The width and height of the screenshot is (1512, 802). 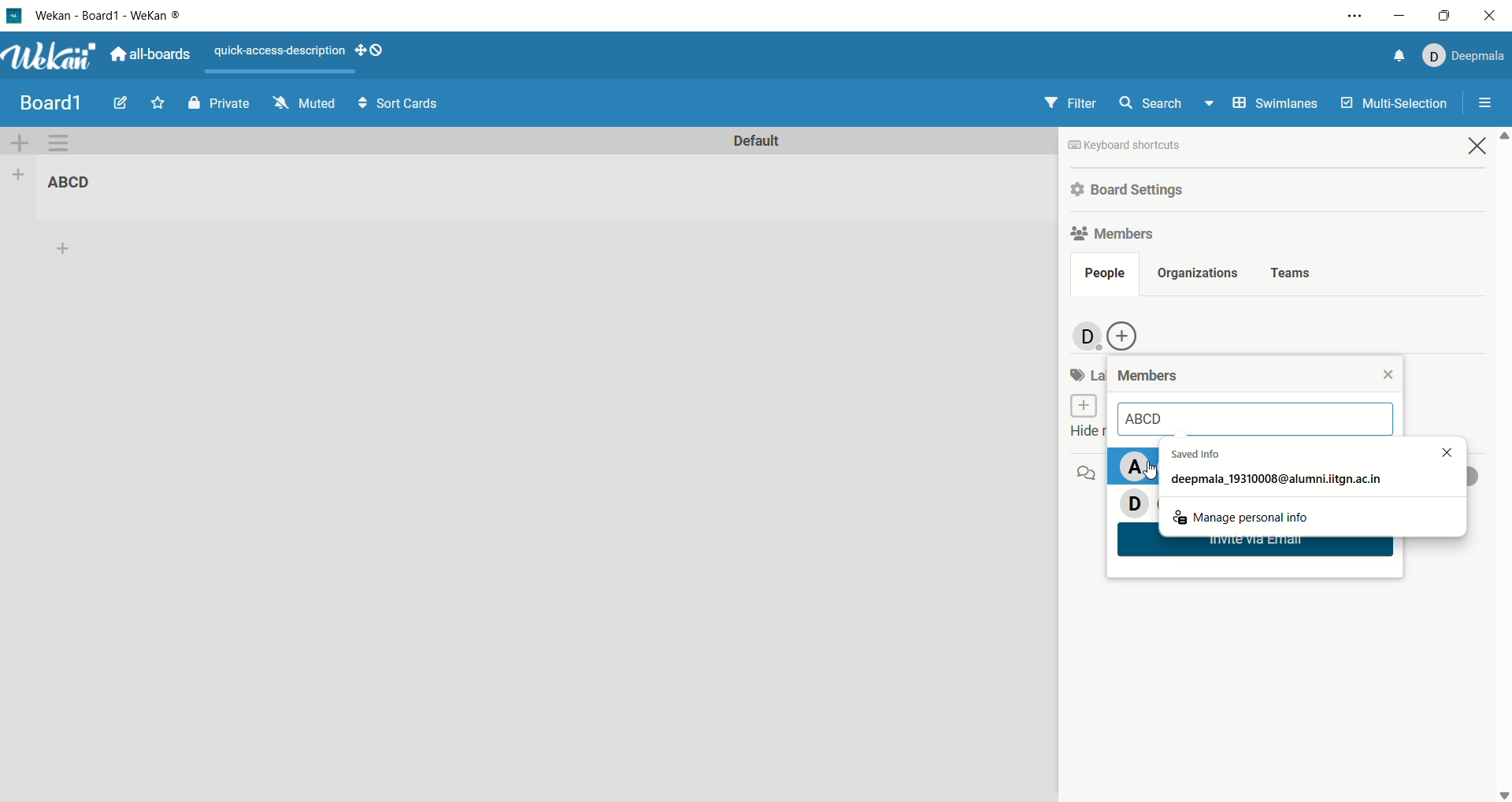 I want to click on keyboard shortcut, so click(x=1125, y=147).